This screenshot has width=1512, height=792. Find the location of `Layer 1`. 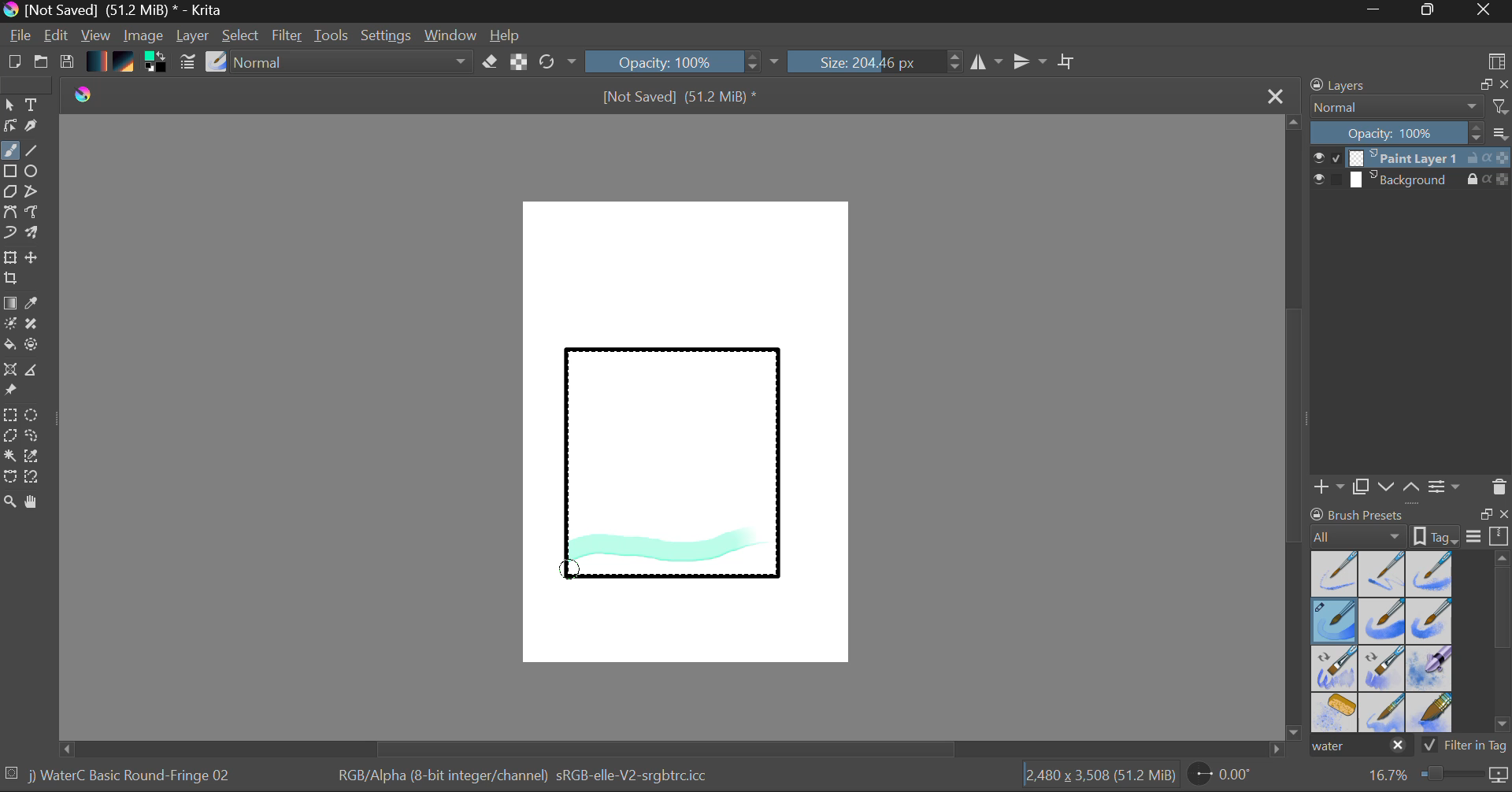

Layer 1 is located at coordinates (1412, 160).